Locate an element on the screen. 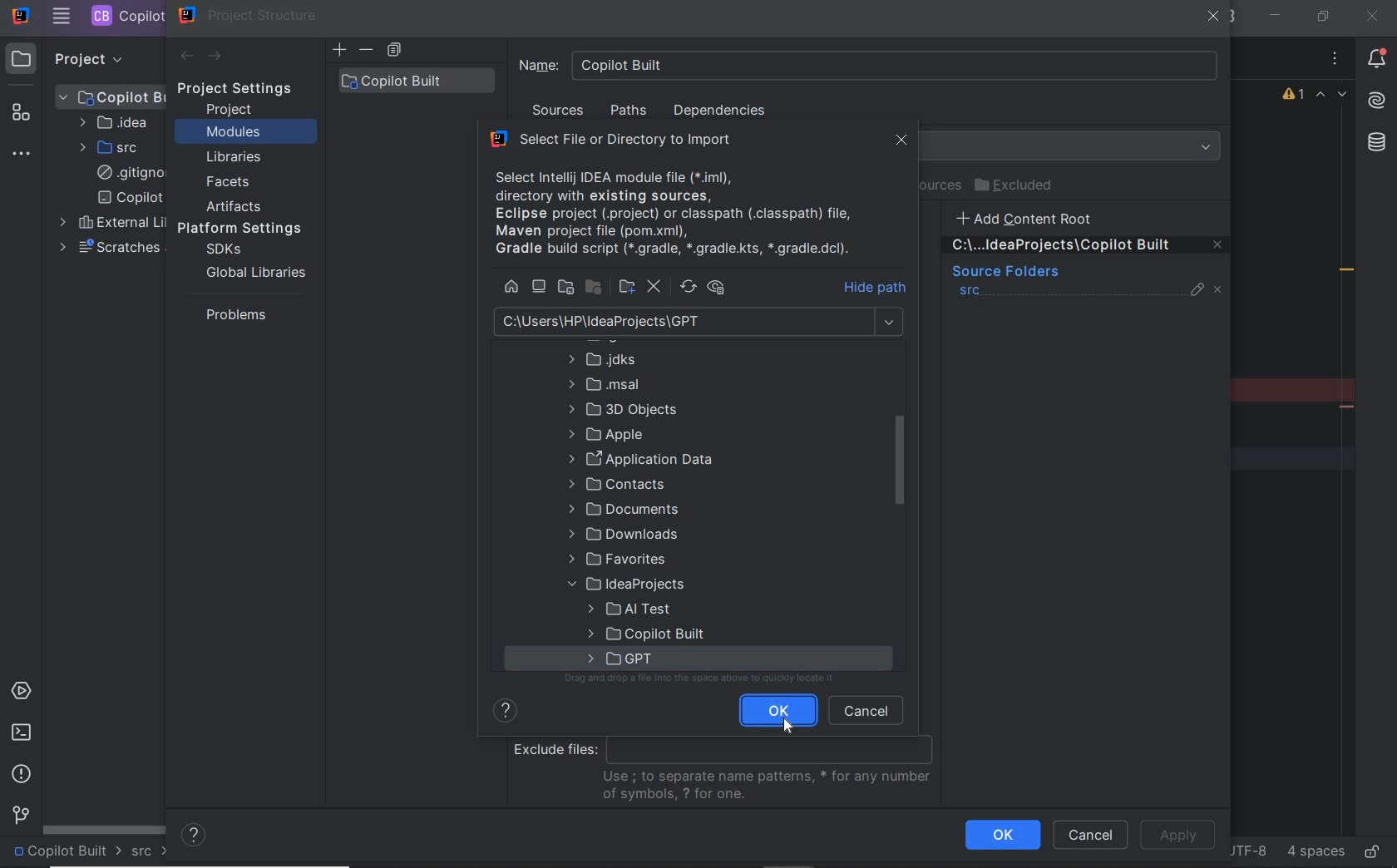 The image size is (1397, 868). close is located at coordinates (1371, 16).